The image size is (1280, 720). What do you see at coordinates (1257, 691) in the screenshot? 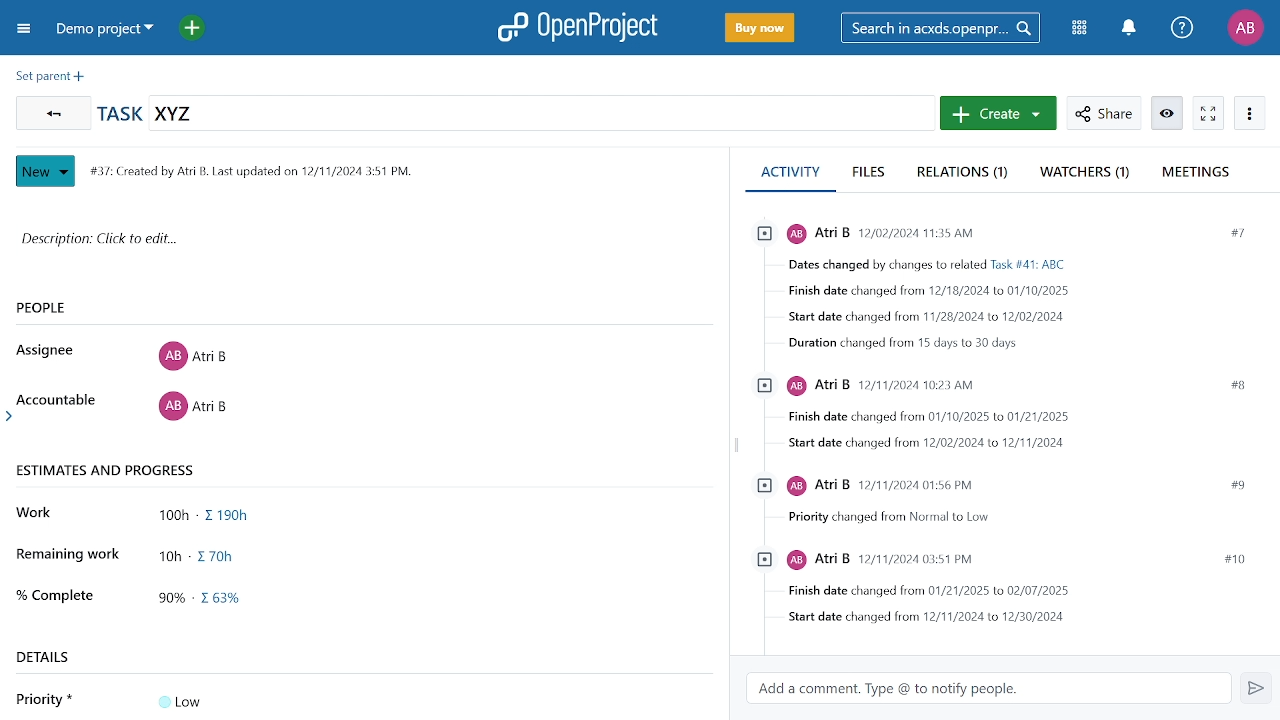
I see `Send` at bounding box center [1257, 691].